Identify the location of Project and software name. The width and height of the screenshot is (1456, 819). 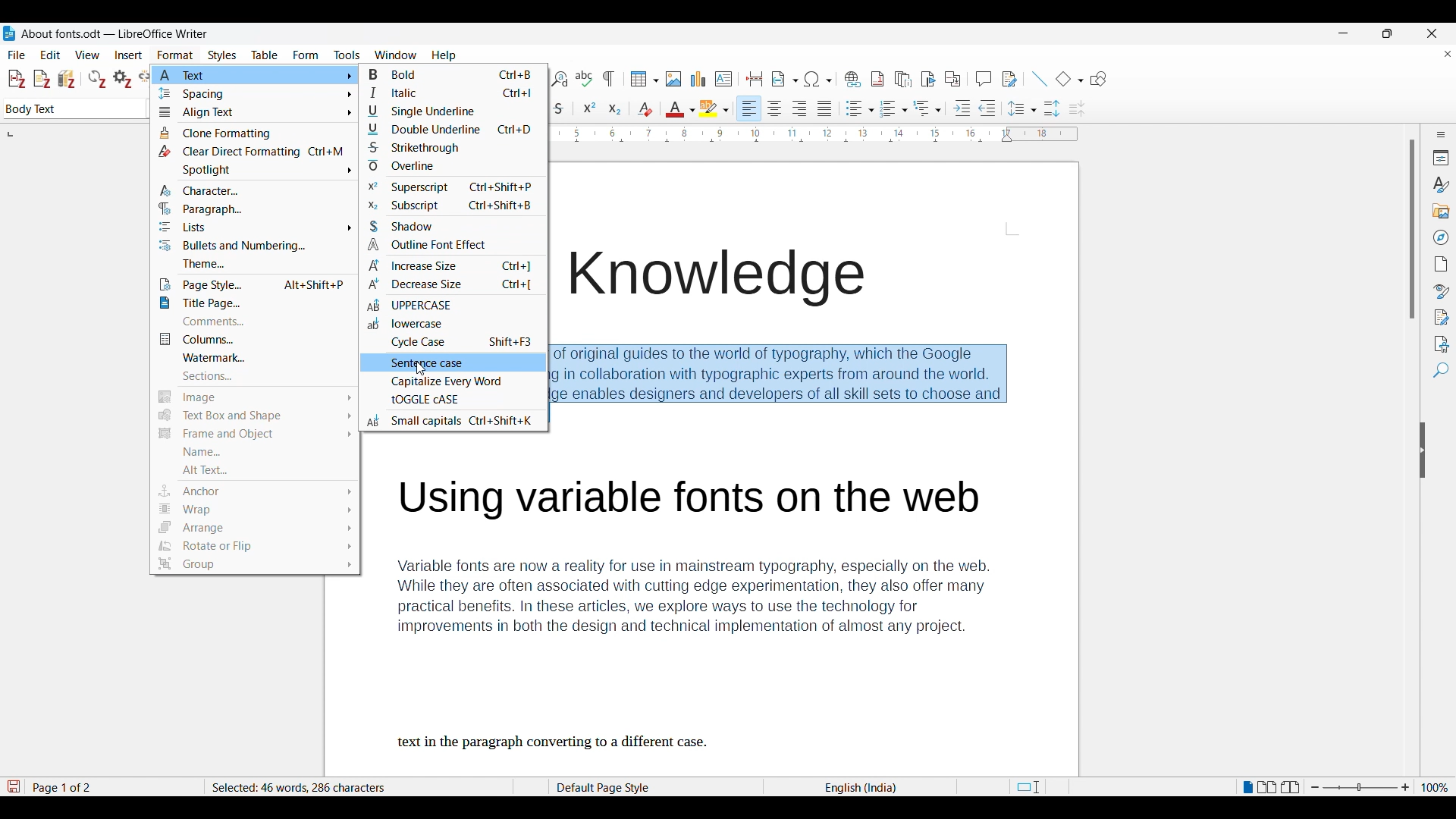
(115, 34).